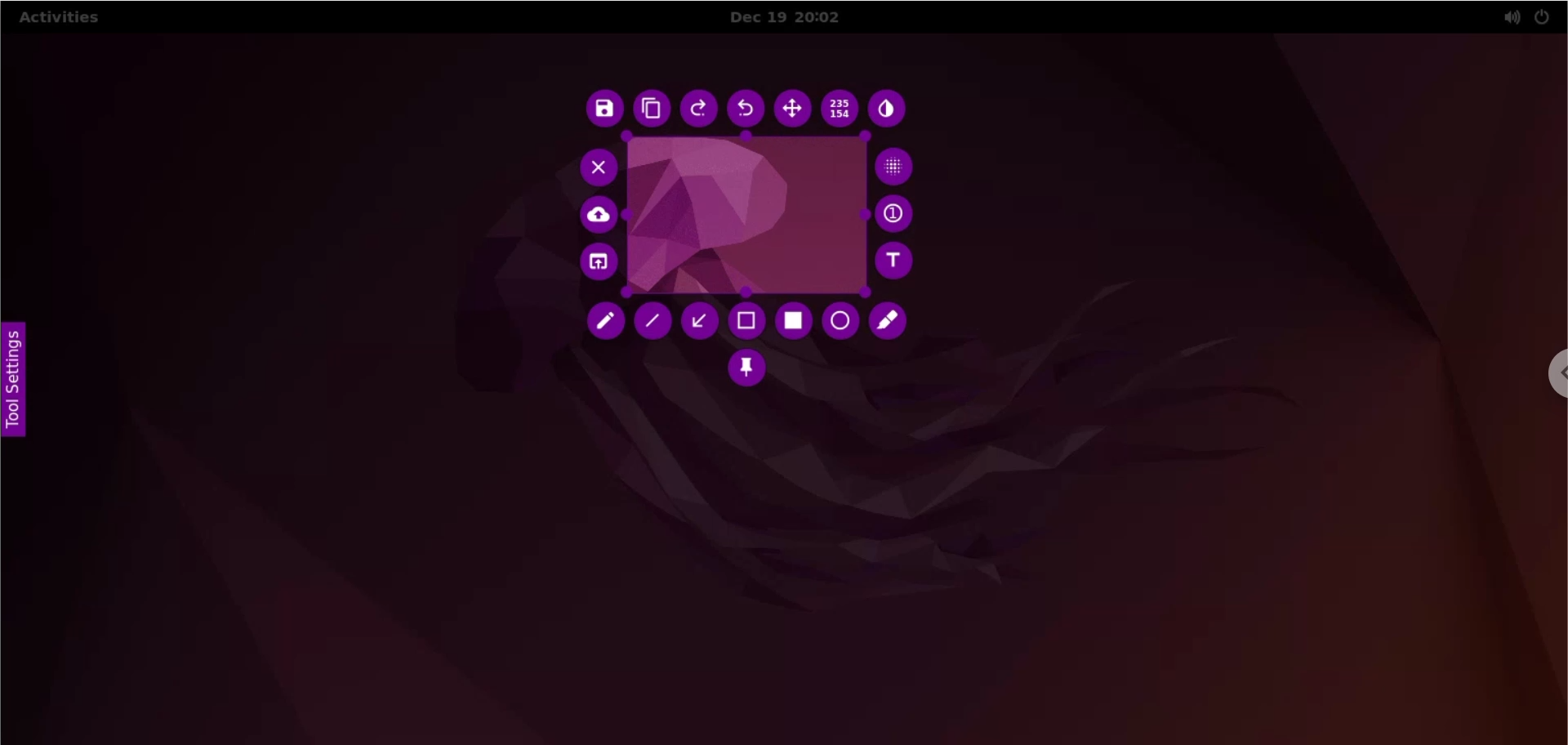  What do you see at coordinates (746, 371) in the screenshot?
I see `pin` at bounding box center [746, 371].